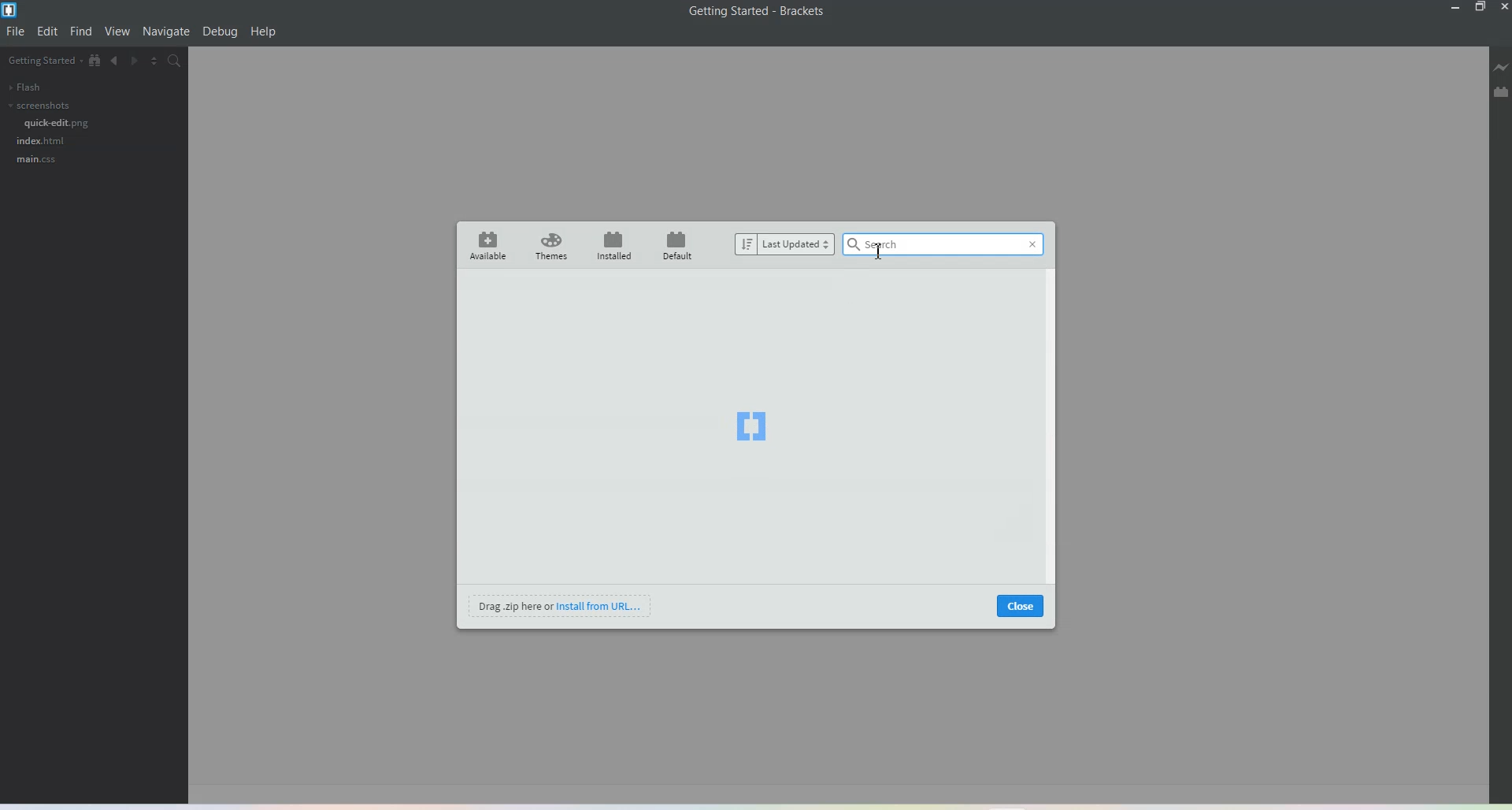  Describe the element at coordinates (1501, 94) in the screenshot. I see `Extension Manager` at that location.